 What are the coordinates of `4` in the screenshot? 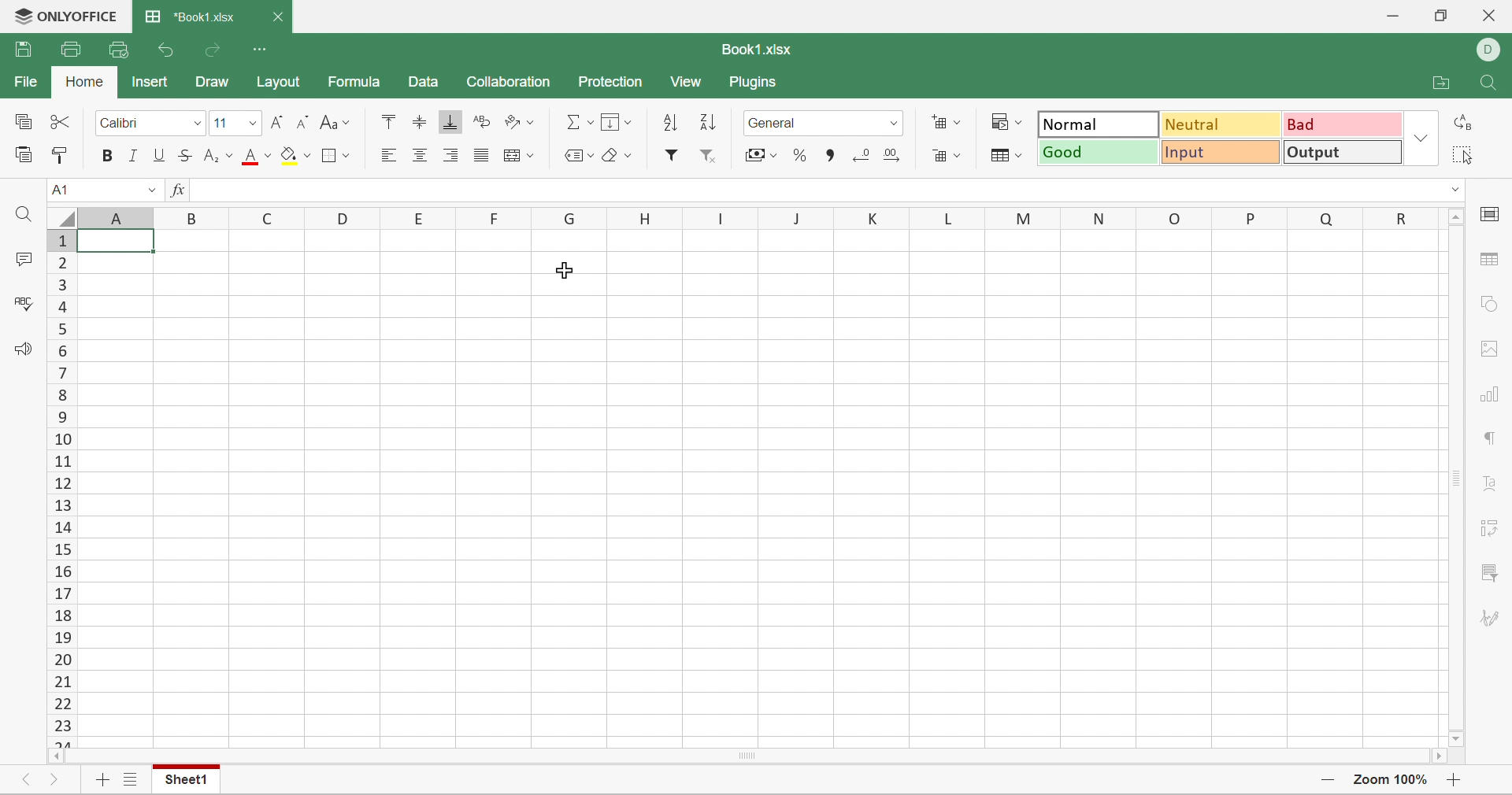 It's located at (58, 327).